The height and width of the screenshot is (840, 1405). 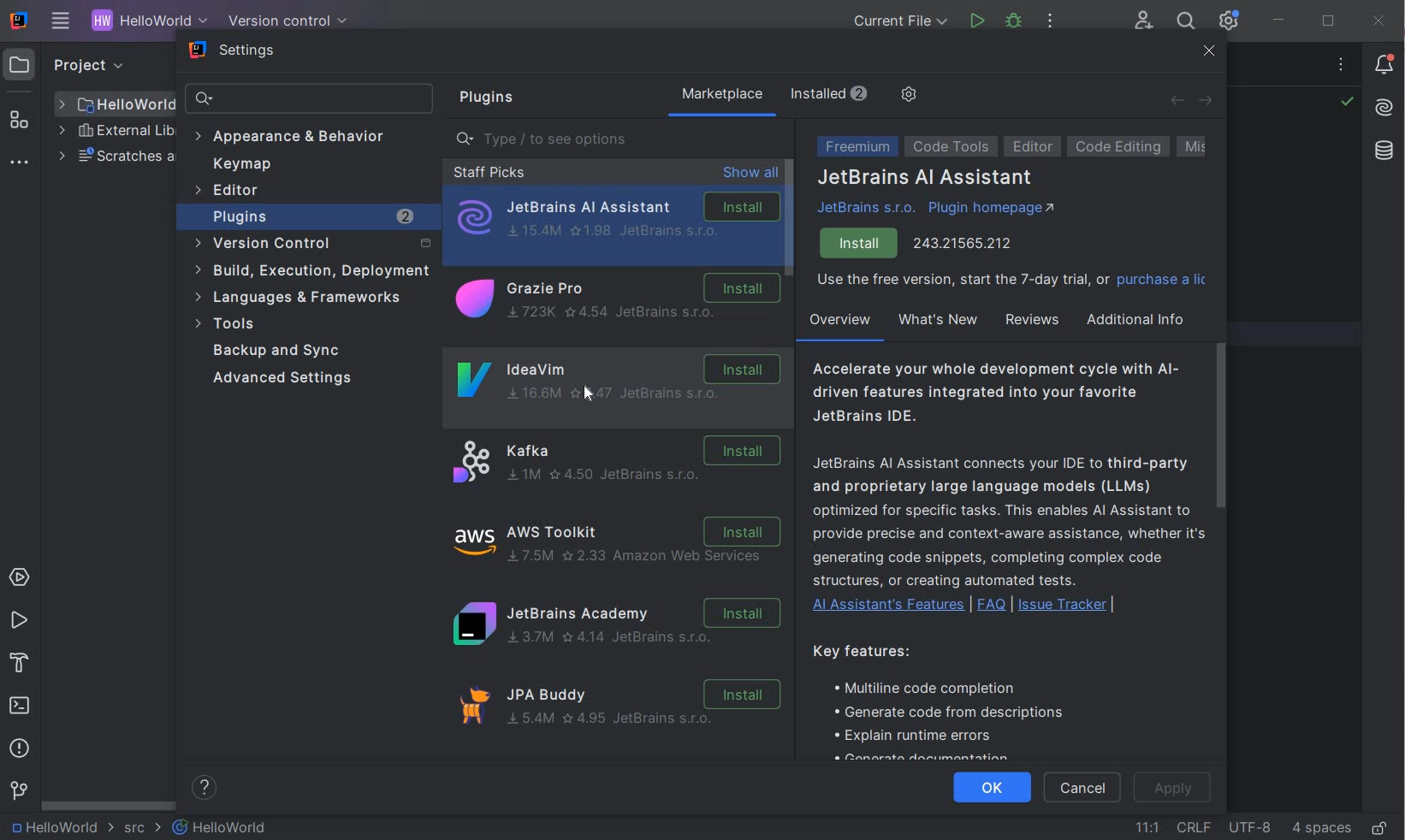 What do you see at coordinates (300, 300) in the screenshot?
I see `language & frameworks` at bounding box center [300, 300].